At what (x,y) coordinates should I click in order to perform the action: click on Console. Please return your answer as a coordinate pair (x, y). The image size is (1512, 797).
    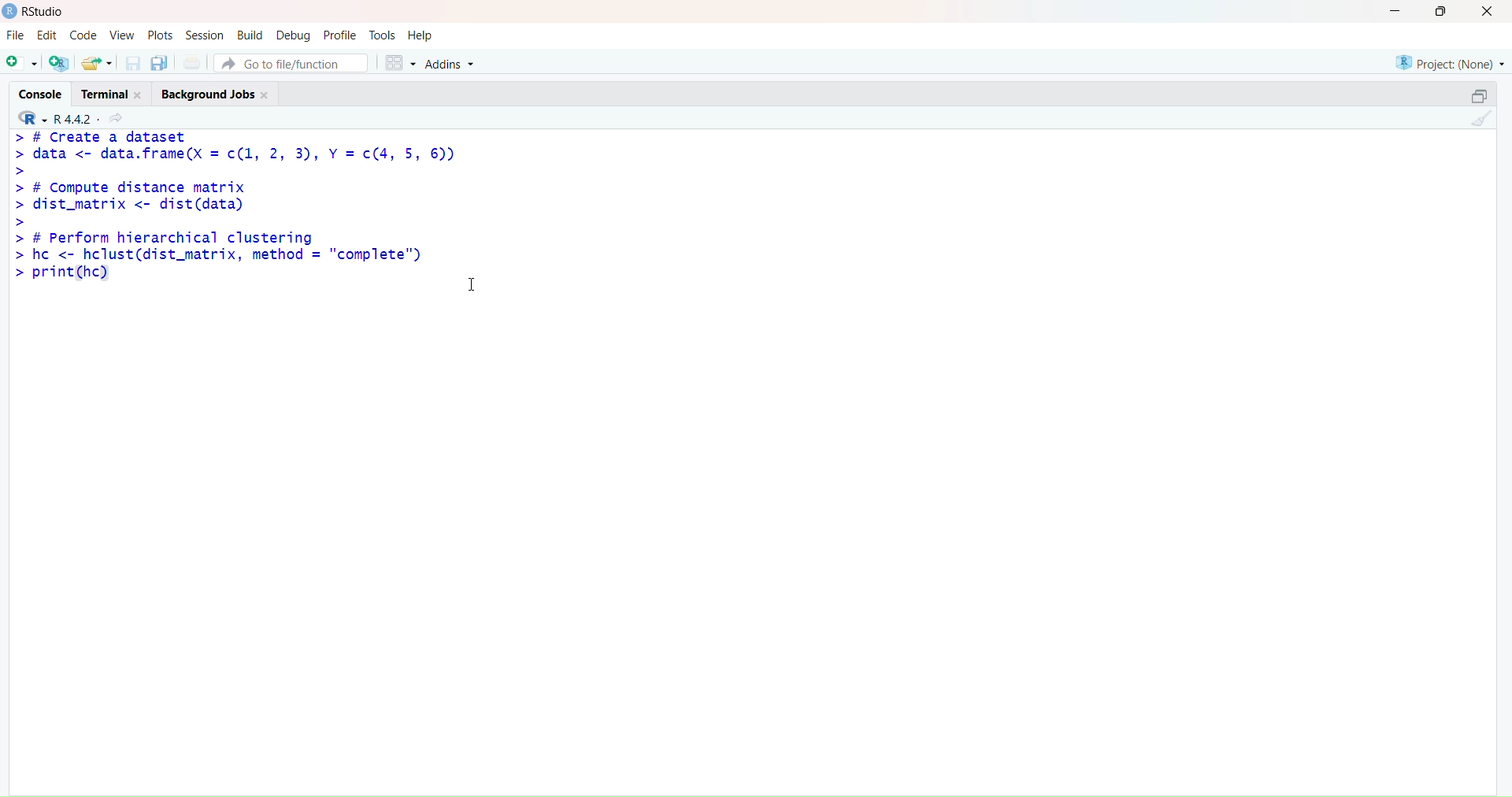
    Looking at the image, I should click on (35, 95).